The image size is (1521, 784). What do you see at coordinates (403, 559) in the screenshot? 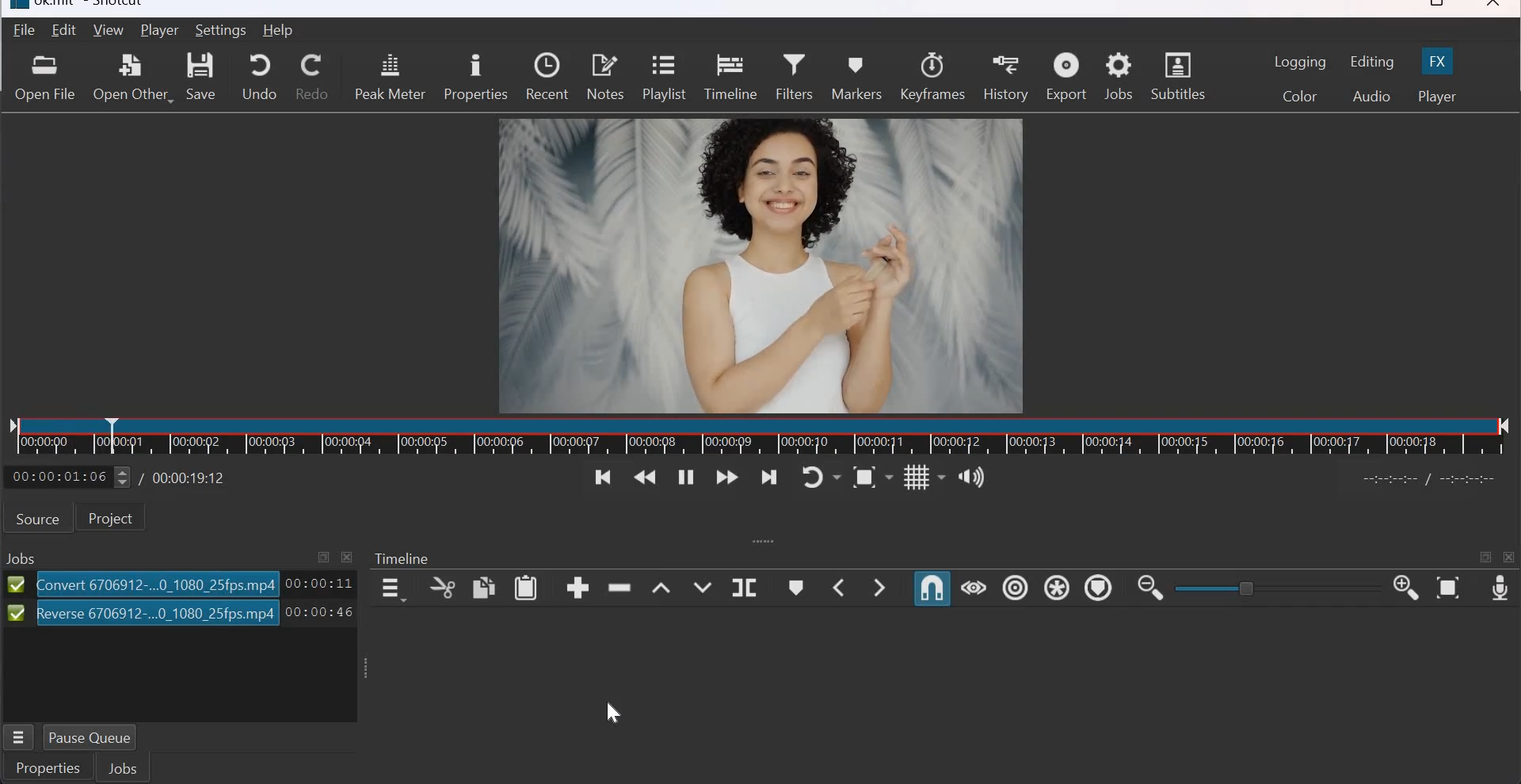
I see `Timeline` at bounding box center [403, 559].